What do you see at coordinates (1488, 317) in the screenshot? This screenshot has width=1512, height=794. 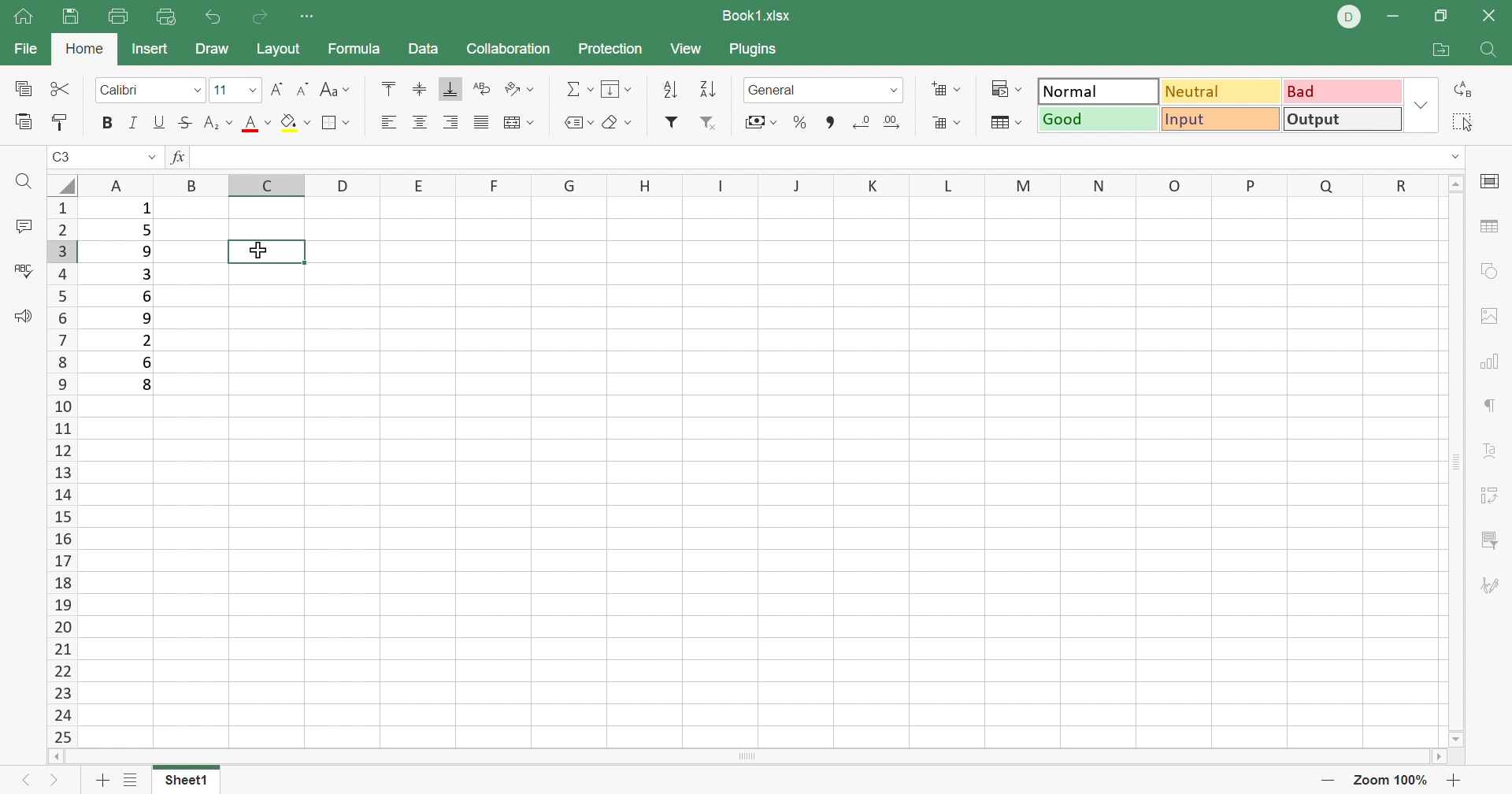 I see `image settings` at bounding box center [1488, 317].